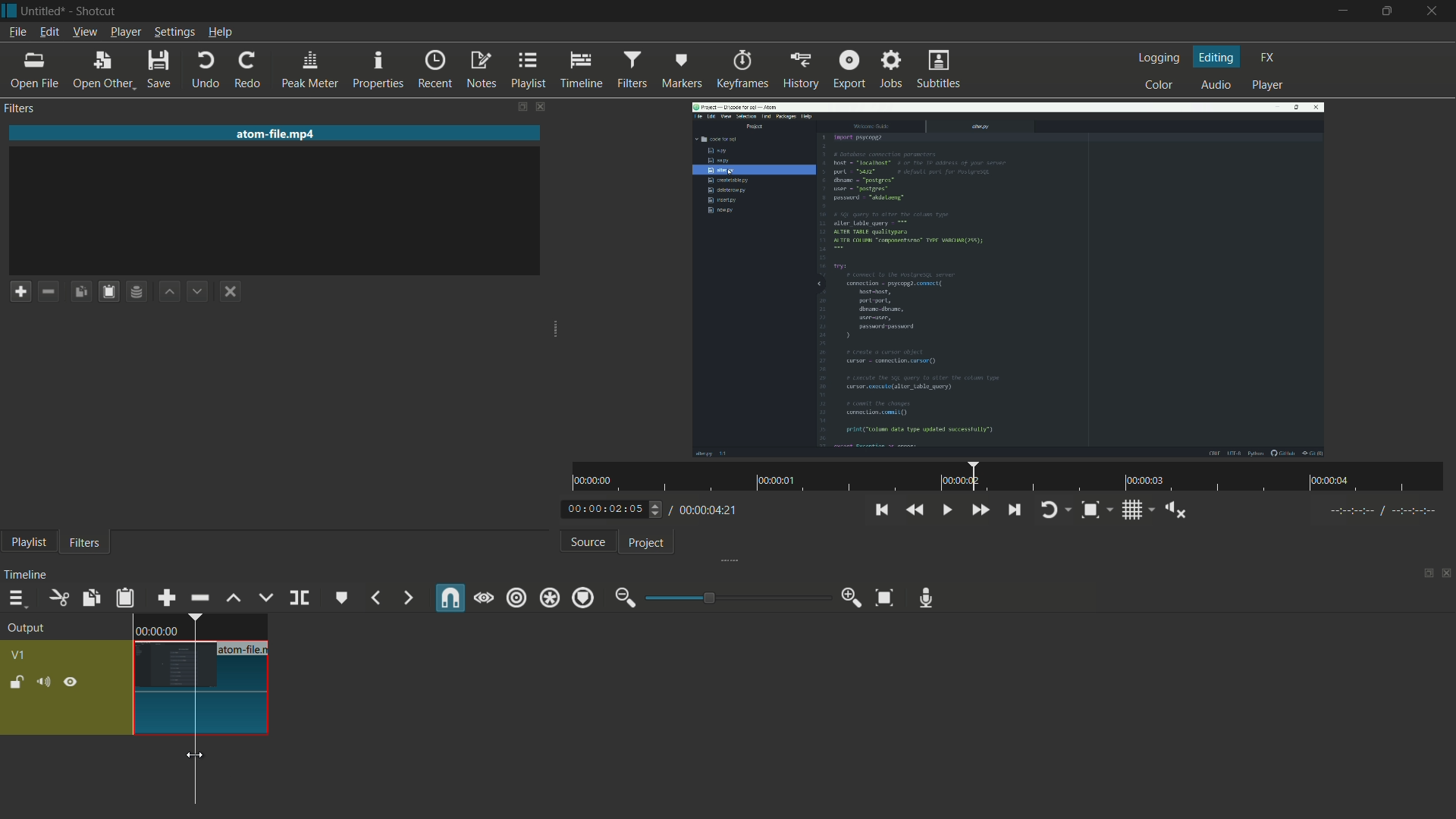 This screenshot has height=819, width=1456. I want to click on v1, so click(20, 655).